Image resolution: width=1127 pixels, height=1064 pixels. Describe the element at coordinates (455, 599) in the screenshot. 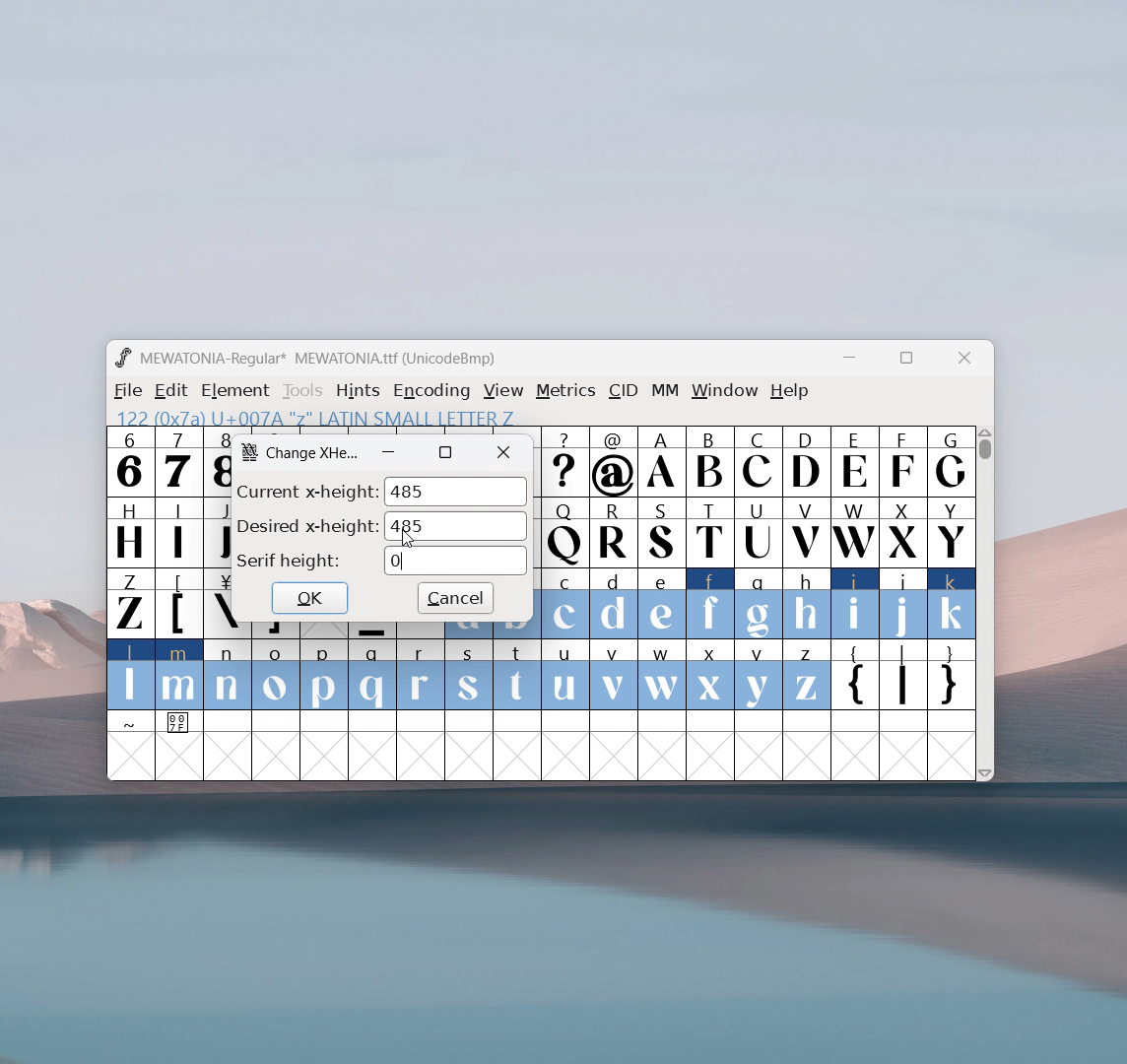

I see `cancel` at that location.